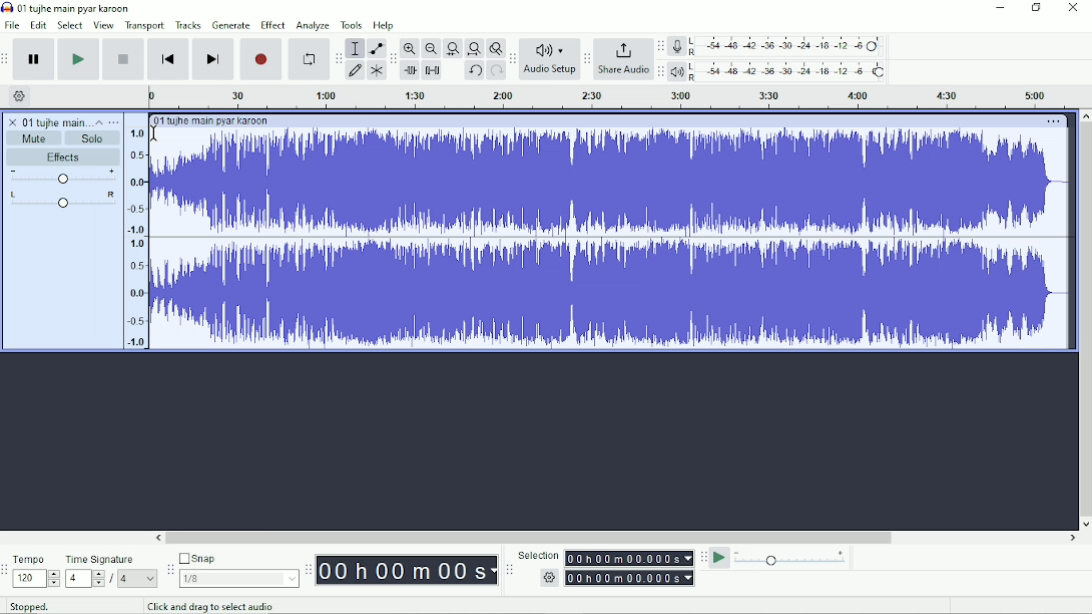 The image size is (1092, 614). I want to click on Time Signature, so click(101, 560).